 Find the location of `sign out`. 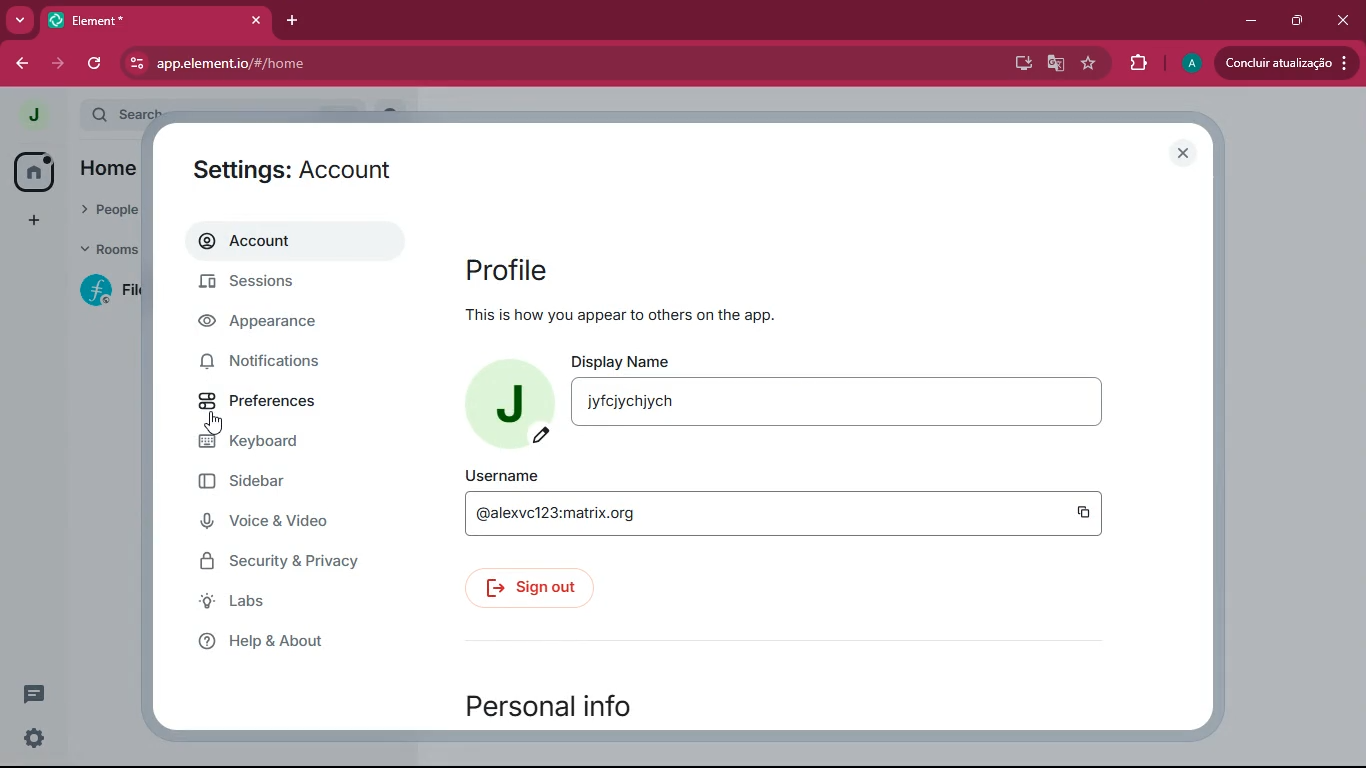

sign out is located at coordinates (542, 586).